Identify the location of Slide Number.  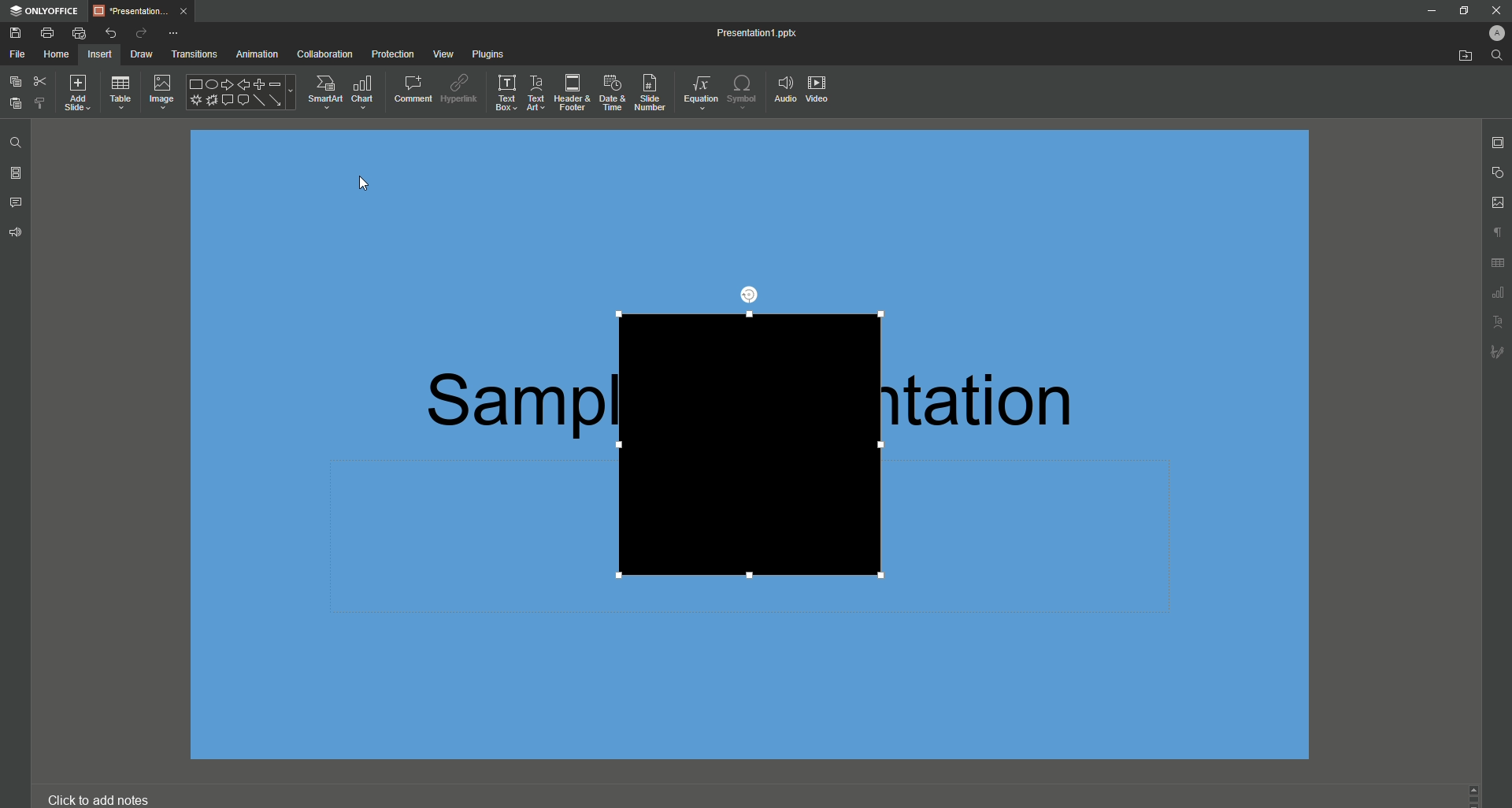
(648, 91).